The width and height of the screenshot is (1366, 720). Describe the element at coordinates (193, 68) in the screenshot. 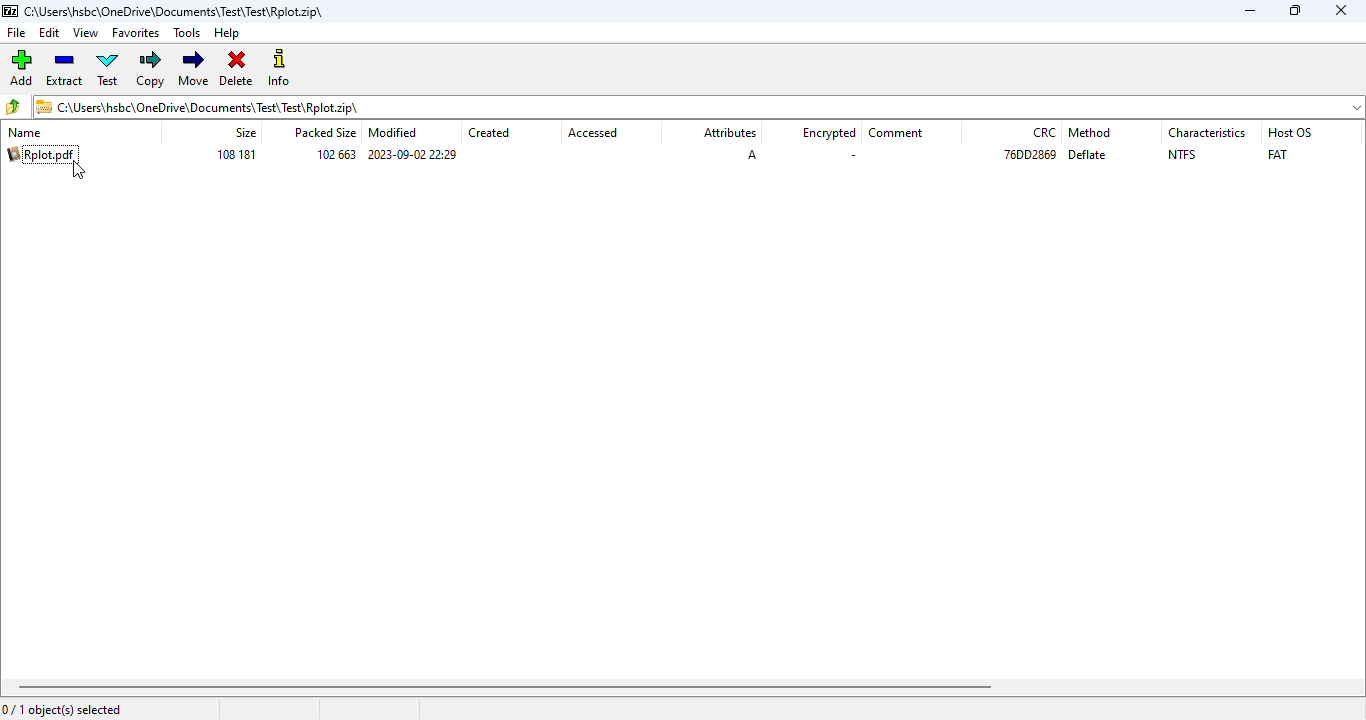

I see `move` at that location.